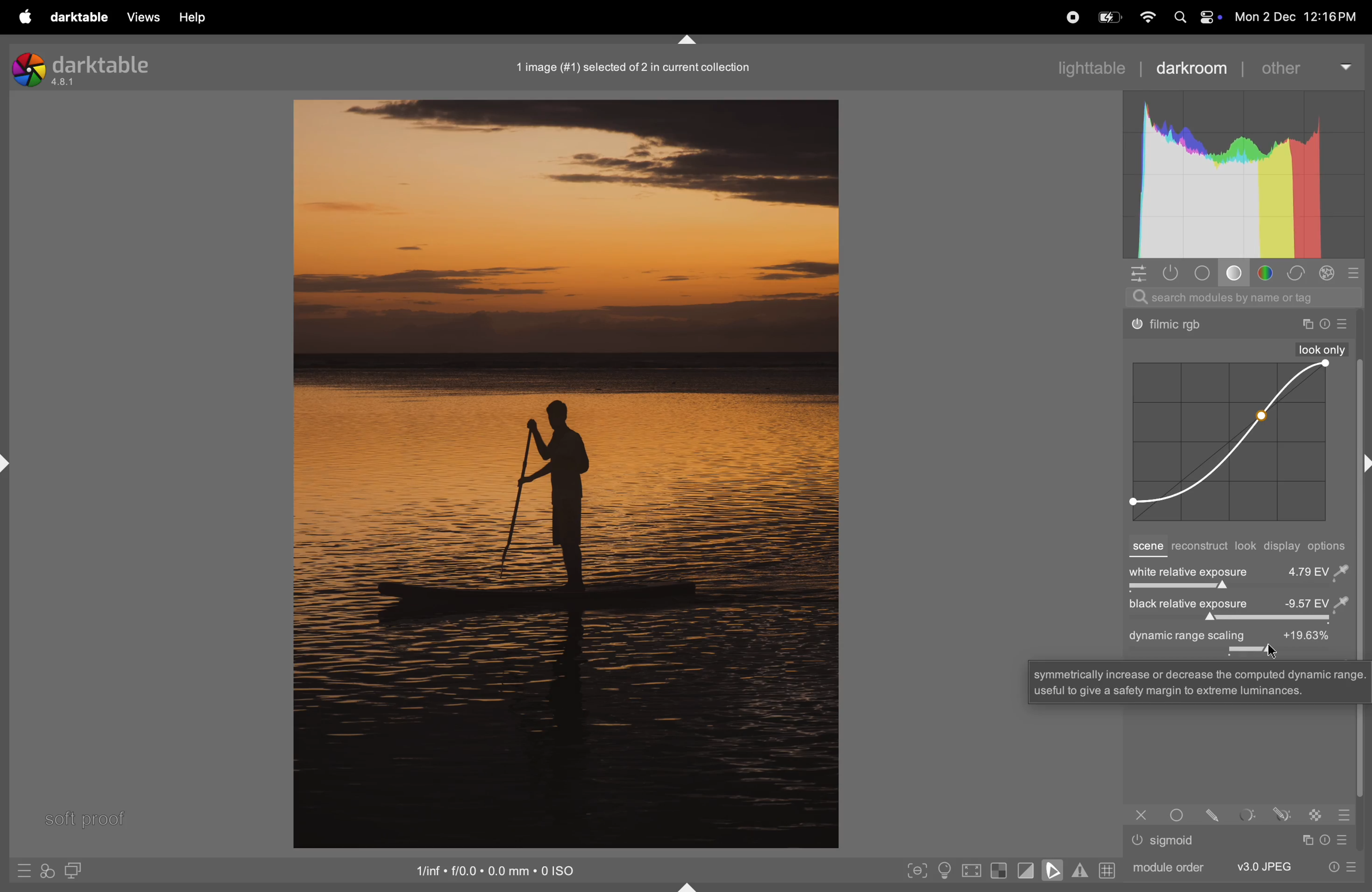 The image size is (1372, 892). What do you see at coordinates (1227, 443) in the screenshot?
I see `rgb curve` at bounding box center [1227, 443].